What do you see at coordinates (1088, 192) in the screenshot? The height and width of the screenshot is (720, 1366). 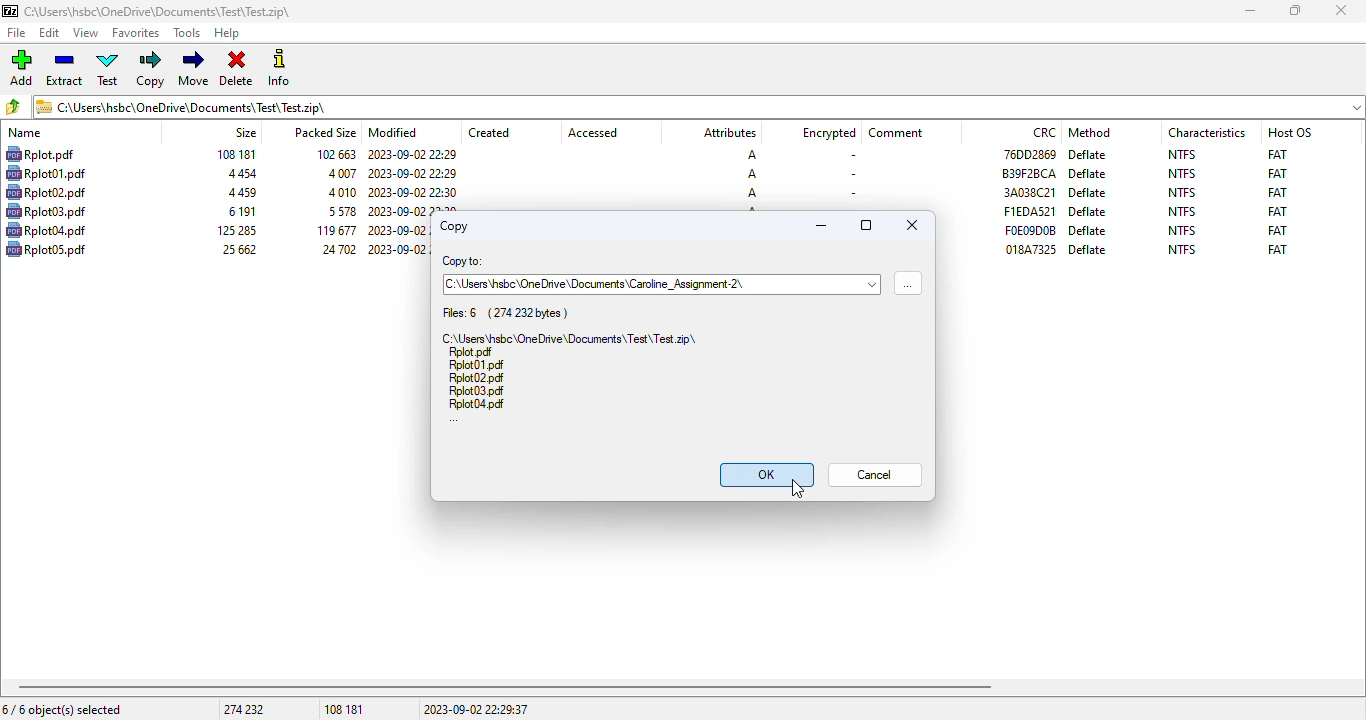 I see `deflate` at bounding box center [1088, 192].